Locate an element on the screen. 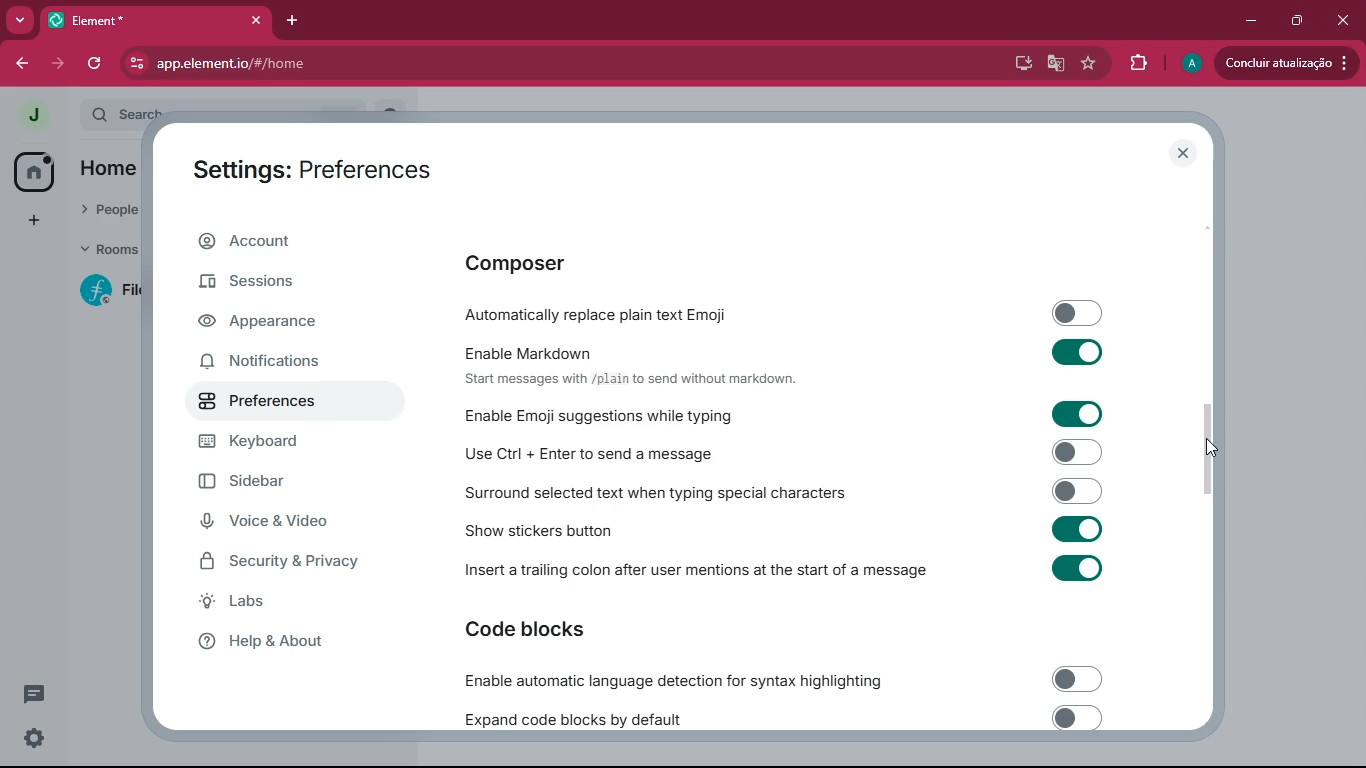 The width and height of the screenshot is (1366, 768). Enable Markdown
Start messages with /plain to send without markdown. is located at coordinates (793, 361).